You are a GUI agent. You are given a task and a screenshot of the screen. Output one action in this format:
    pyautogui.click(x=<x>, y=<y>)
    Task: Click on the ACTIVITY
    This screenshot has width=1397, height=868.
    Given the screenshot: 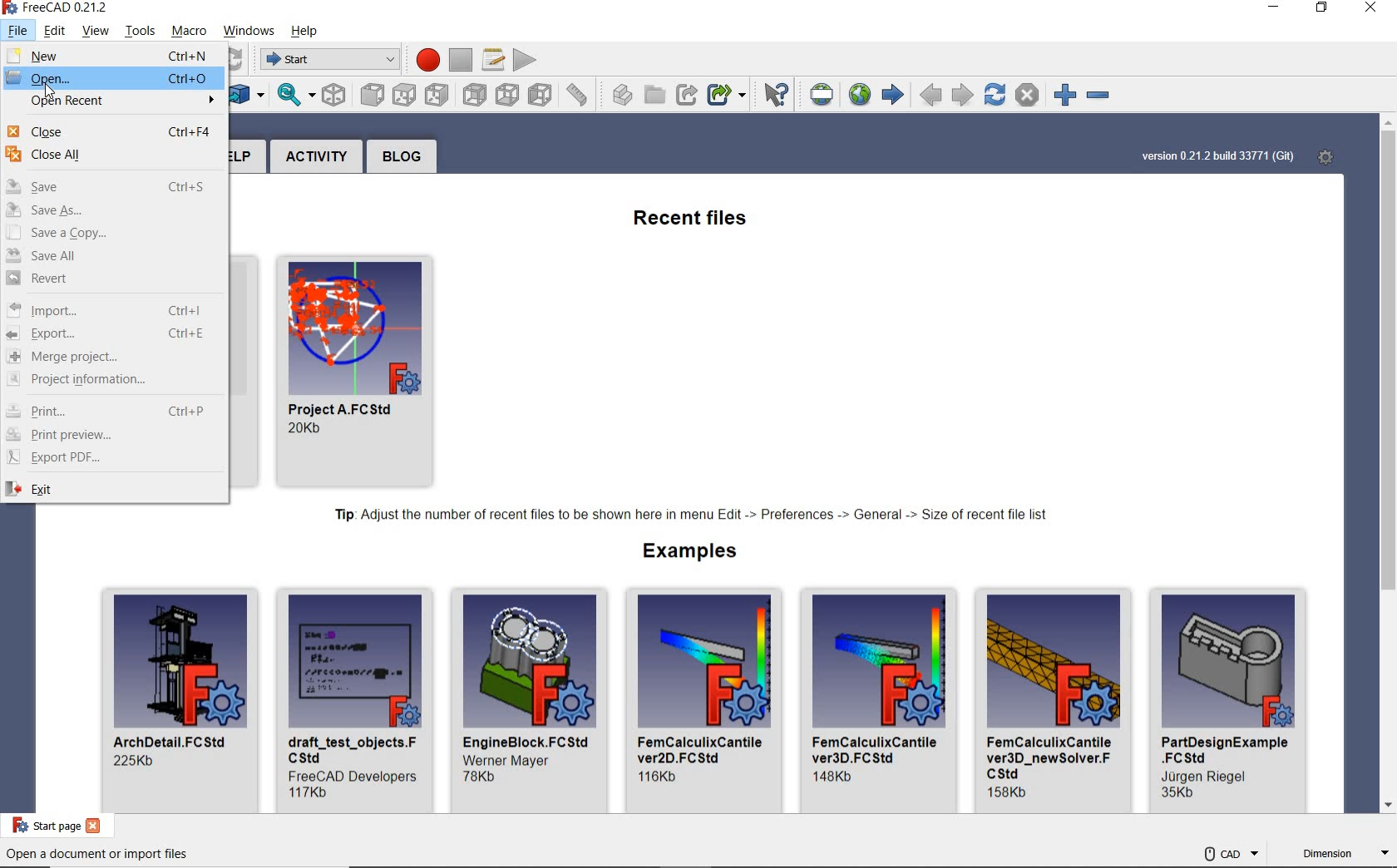 What is the action you would take?
    pyautogui.click(x=316, y=156)
    